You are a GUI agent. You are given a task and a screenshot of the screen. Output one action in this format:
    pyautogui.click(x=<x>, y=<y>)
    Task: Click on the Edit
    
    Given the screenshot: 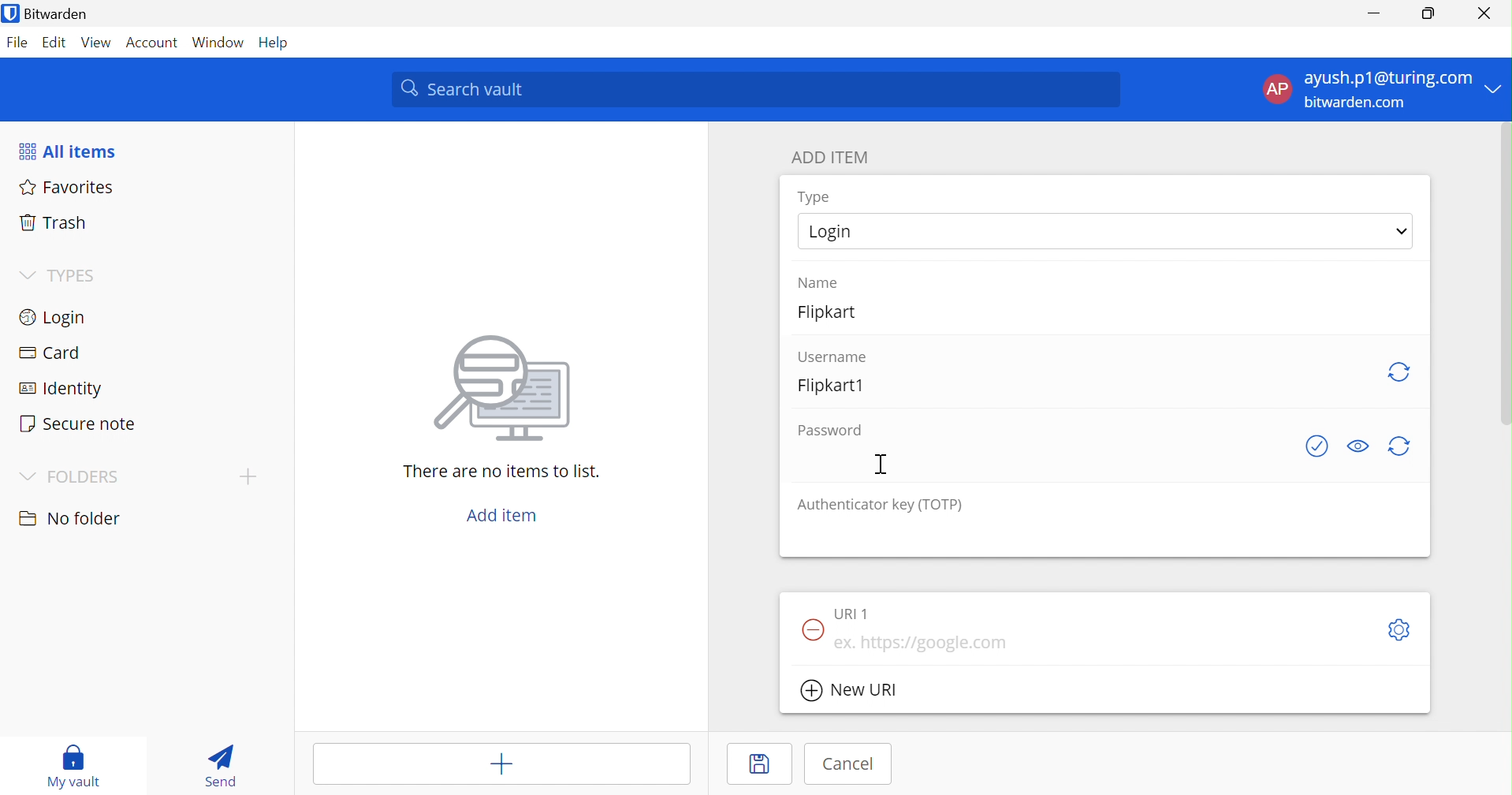 What is the action you would take?
    pyautogui.click(x=51, y=42)
    